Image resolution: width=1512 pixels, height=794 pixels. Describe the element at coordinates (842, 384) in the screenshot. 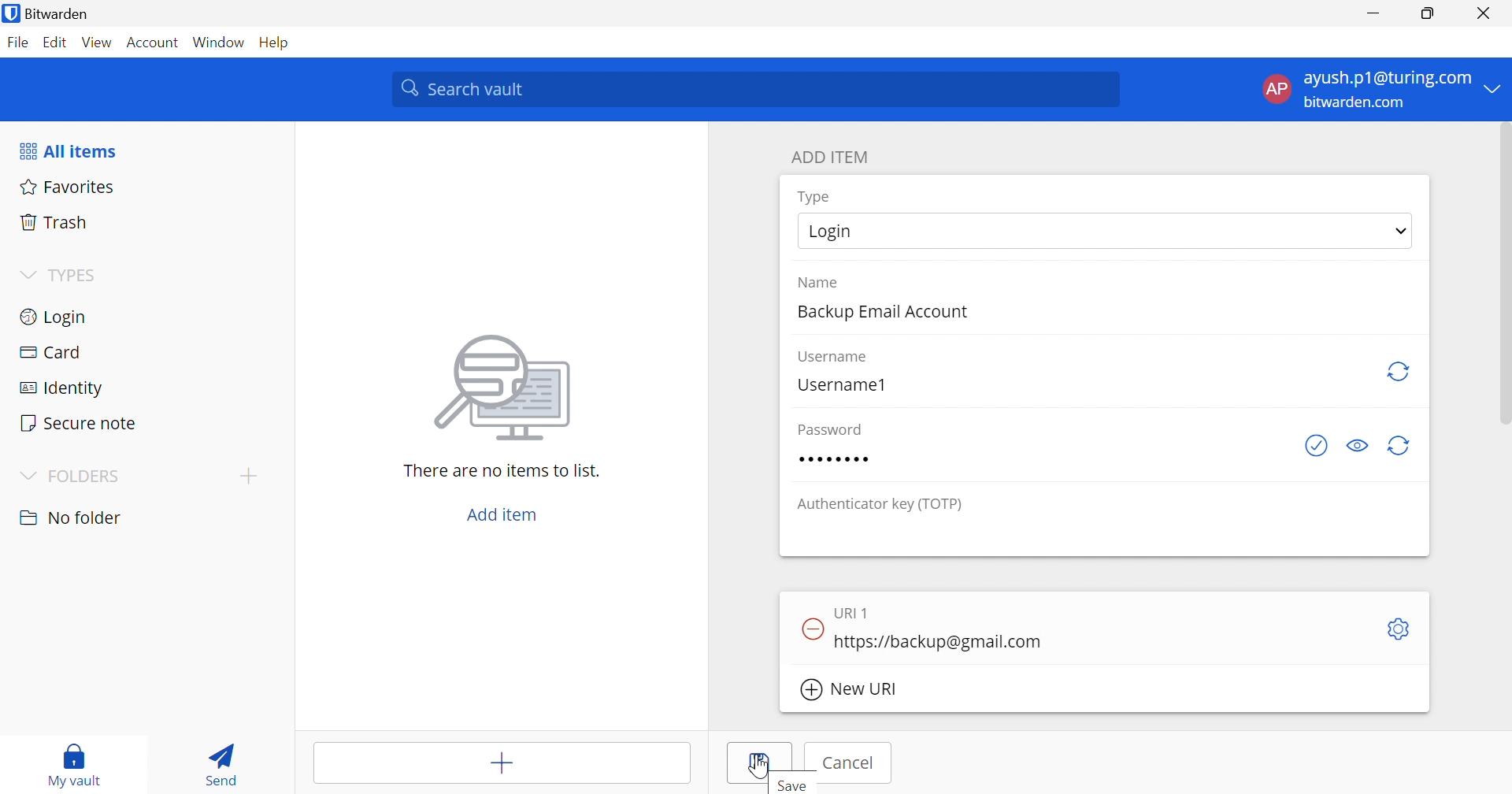

I see `Username1` at that location.